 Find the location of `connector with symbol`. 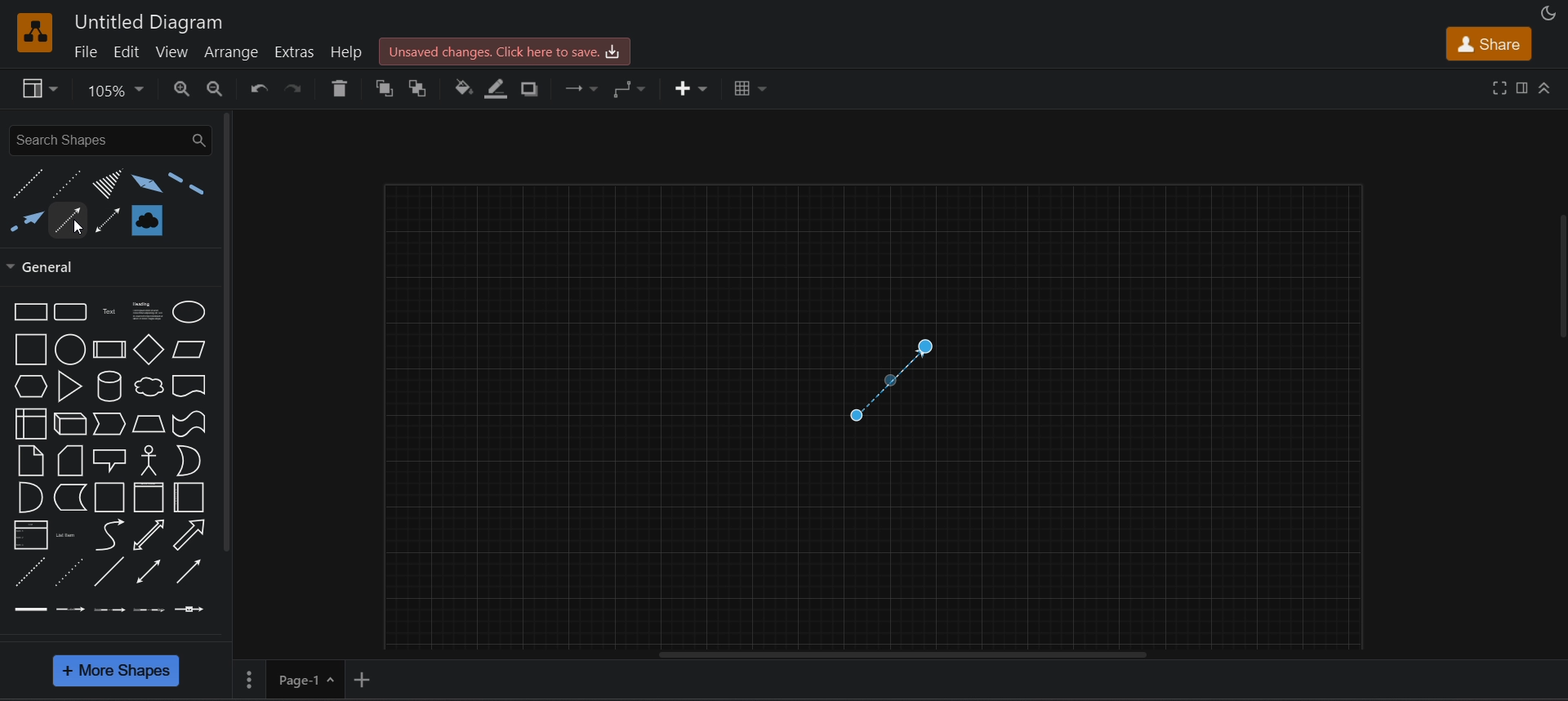

connector with symbol is located at coordinates (191, 608).